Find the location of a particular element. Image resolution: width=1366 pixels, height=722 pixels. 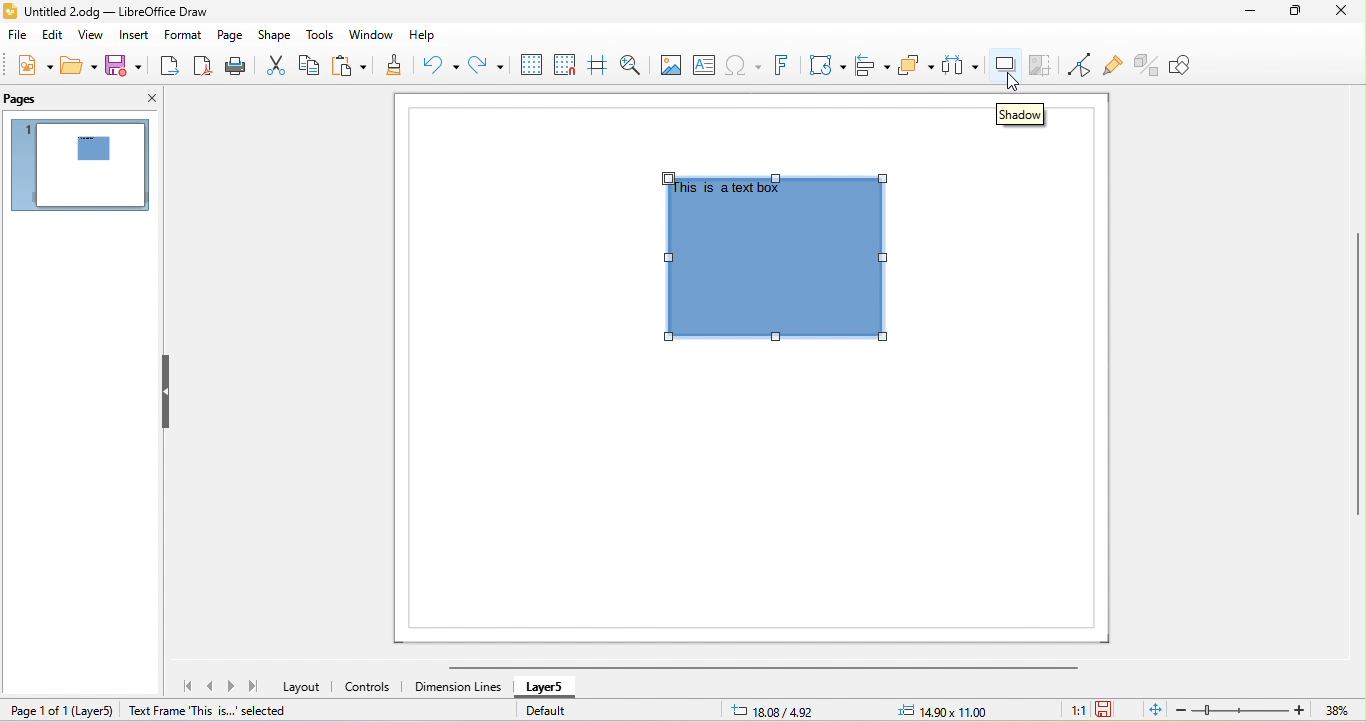

redo is located at coordinates (490, 68).